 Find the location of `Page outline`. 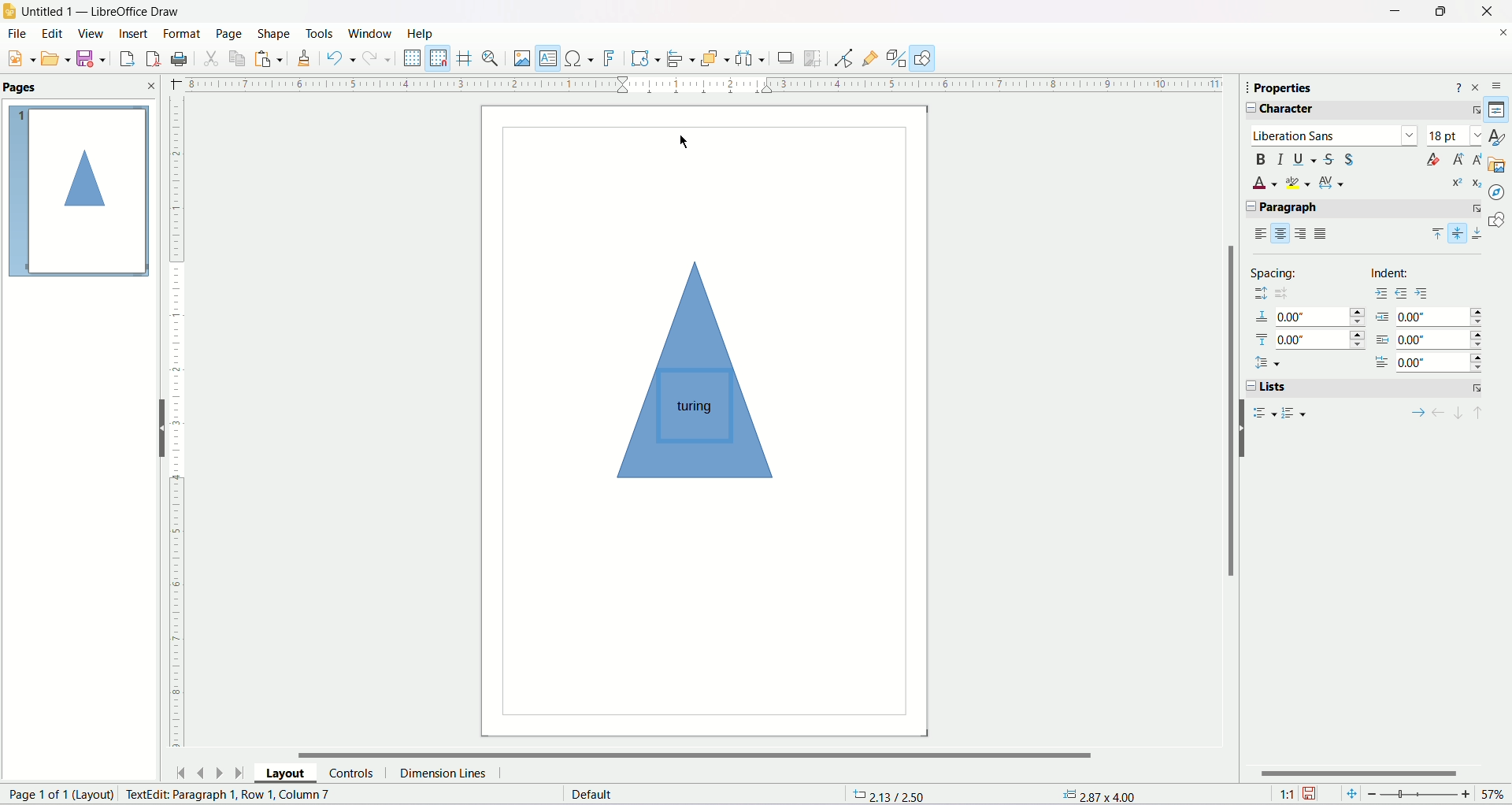

Page outline is located at coordinates (79, 191).